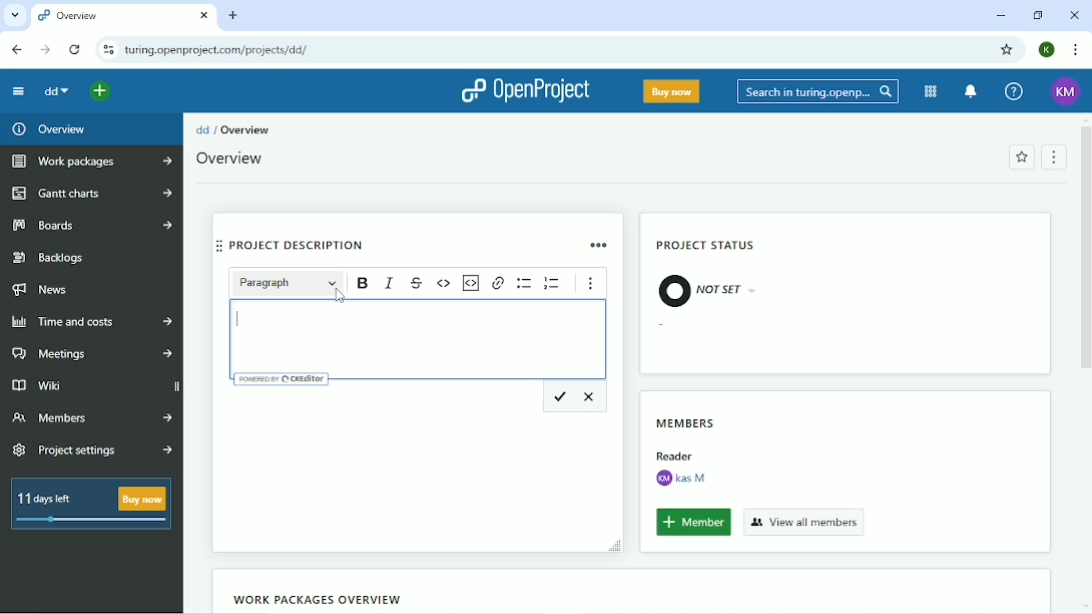 The image size is (1092, 614). What do you see at coordinates (51, 258) in the screenshot?
I see `Backlogs` at bounding box center [51, 258].